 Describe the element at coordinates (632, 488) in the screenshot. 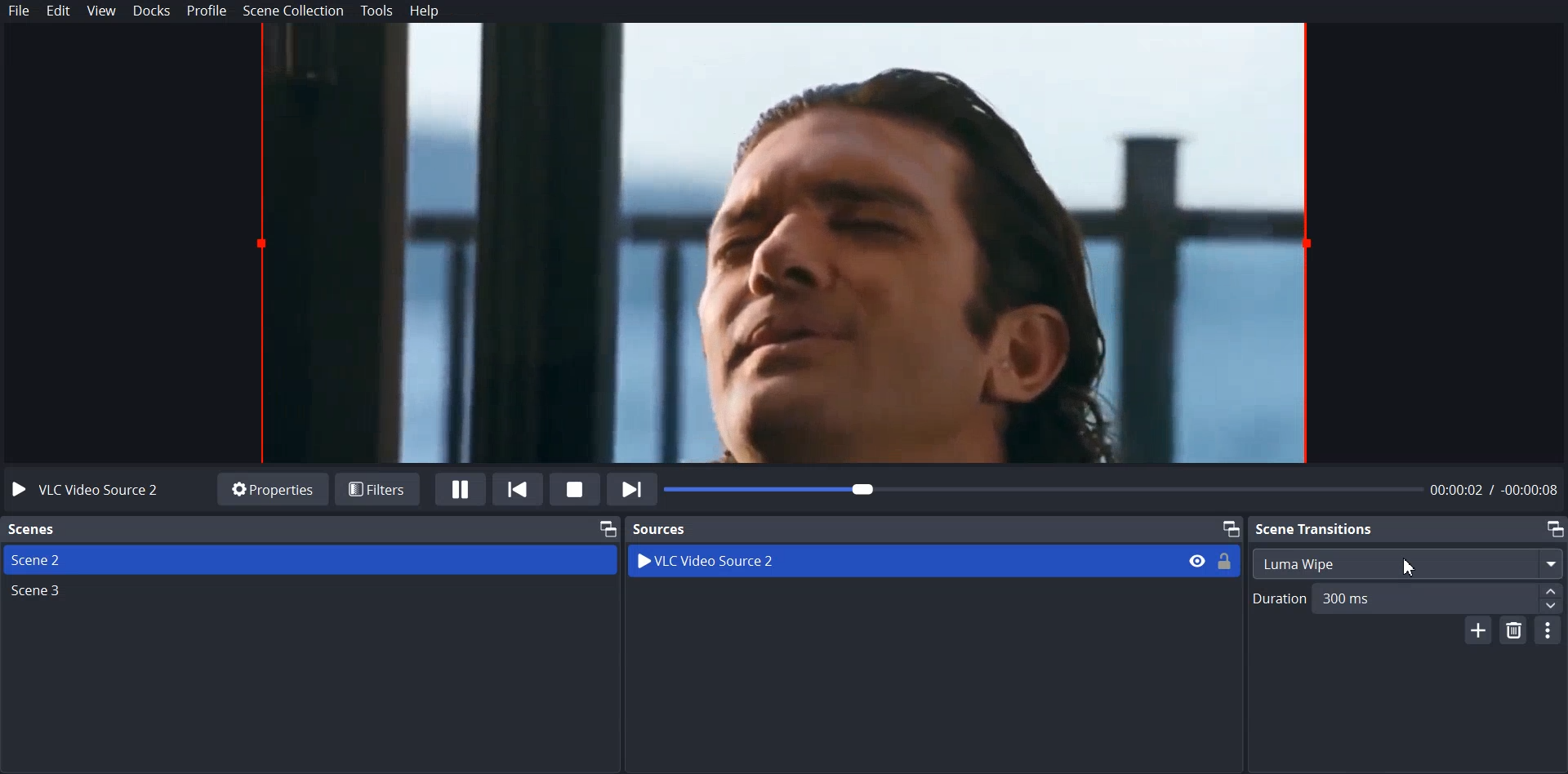

I see `Next in Playlist` at that location.